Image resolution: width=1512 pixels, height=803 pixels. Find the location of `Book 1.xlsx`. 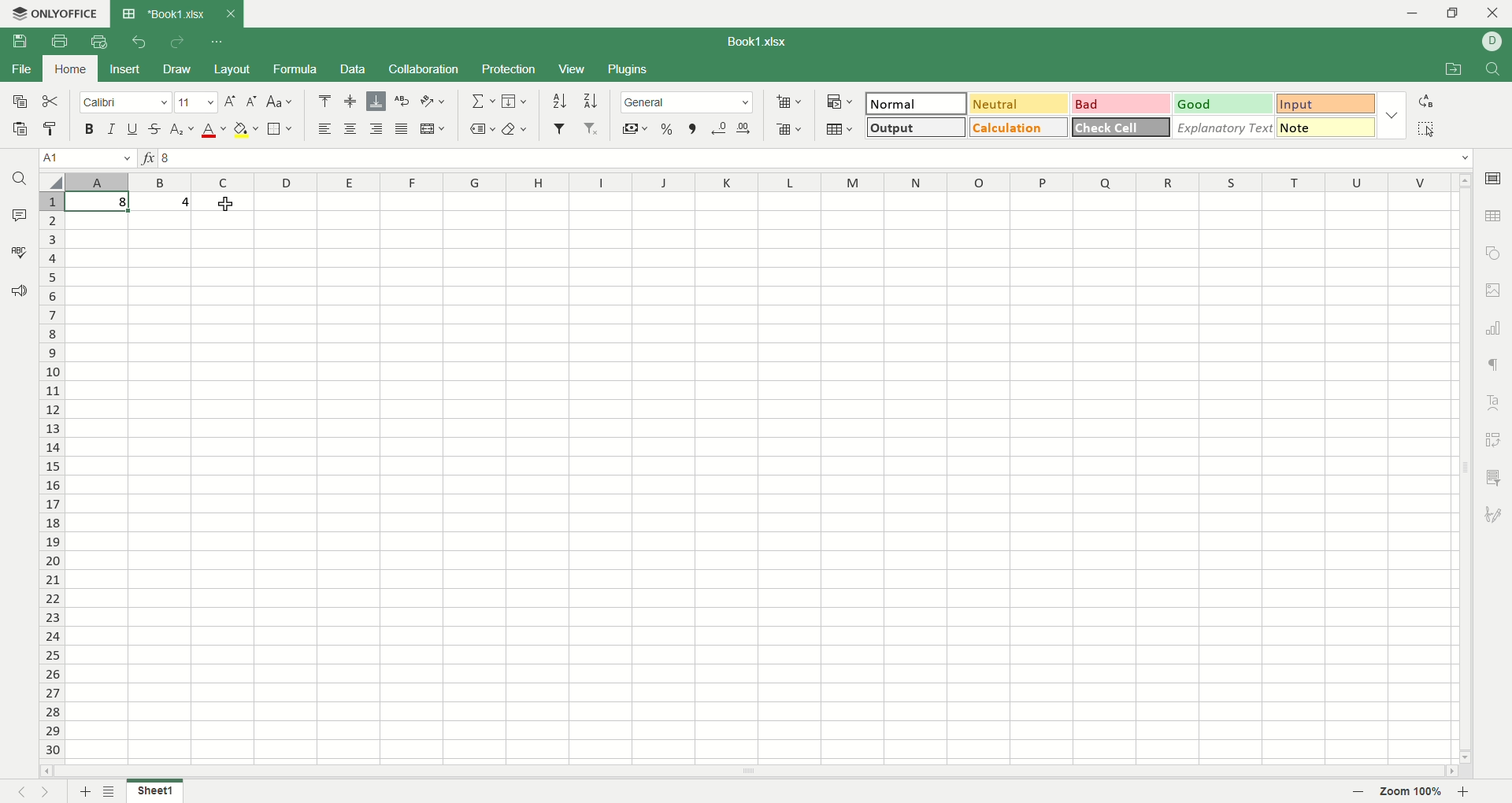

Book 1.xlsx is located at coordinates (755, 42).